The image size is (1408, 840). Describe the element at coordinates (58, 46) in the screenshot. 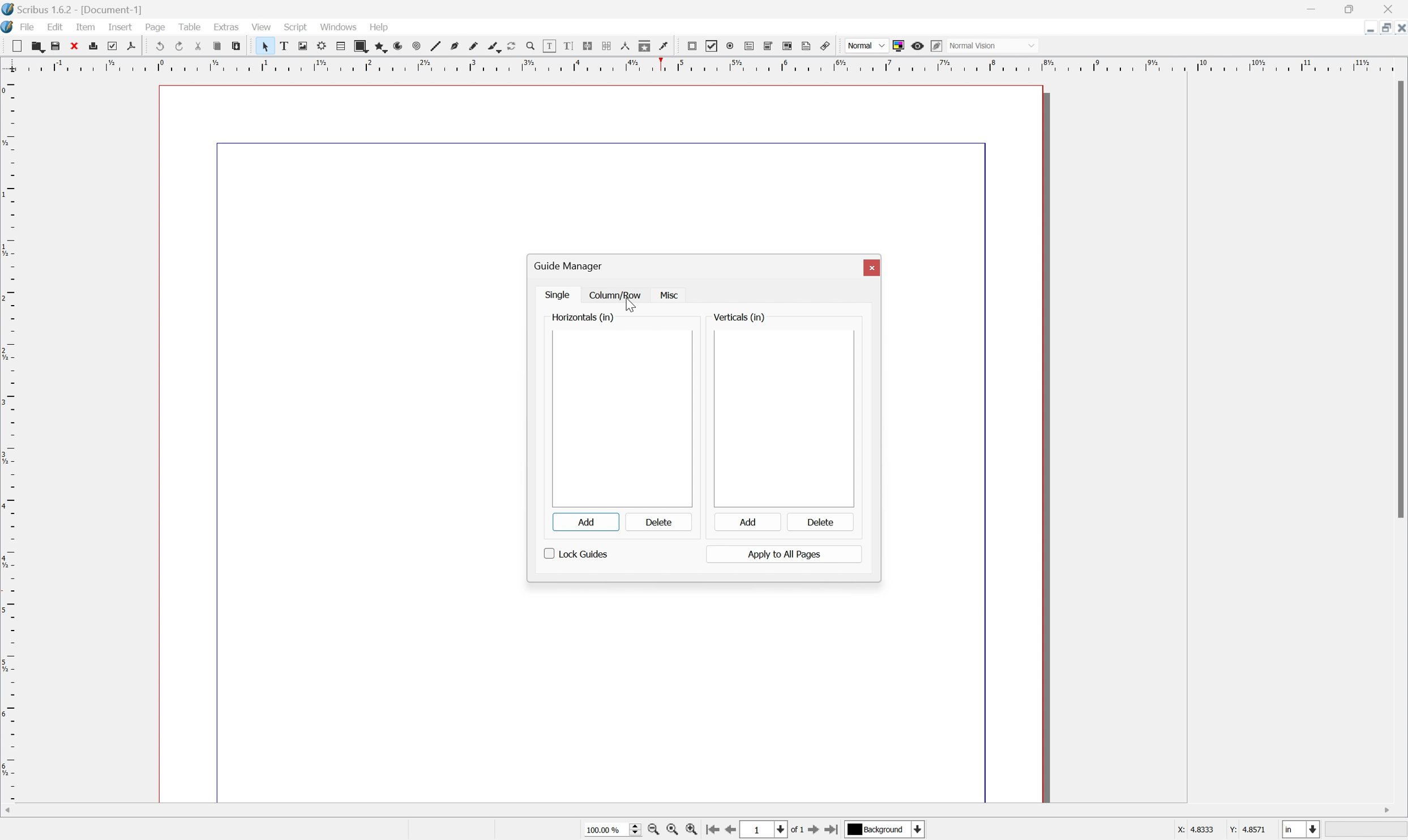

I see `save` at that location.